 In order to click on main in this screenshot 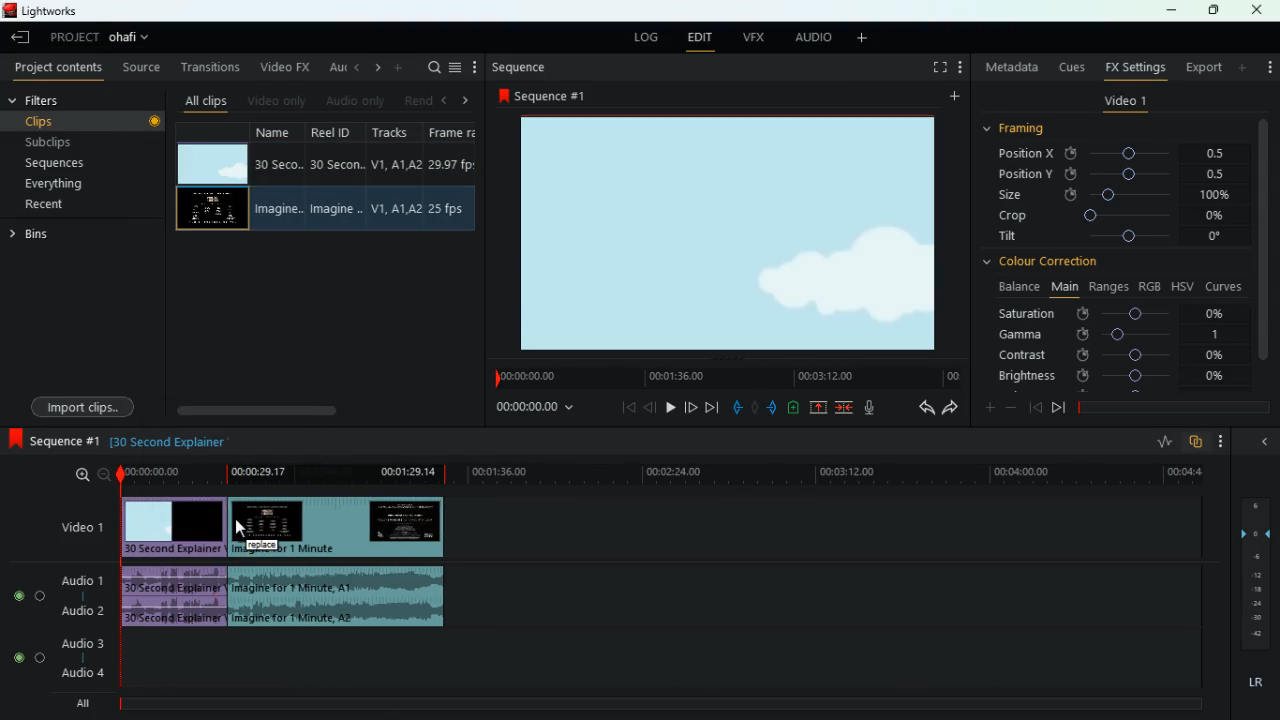, I will do `click(1064, 285)`.